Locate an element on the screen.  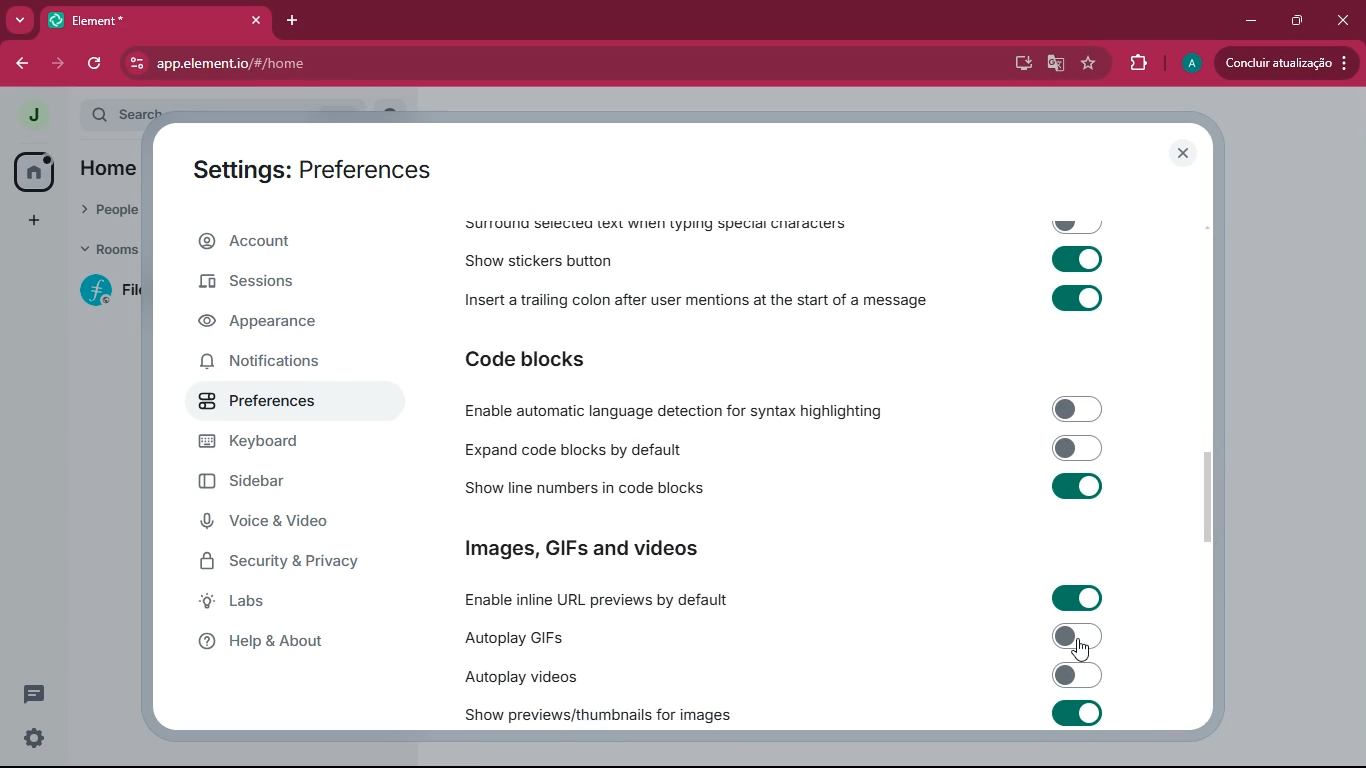
Show previews/thumbnails for images is located at coordinates (786, 713).